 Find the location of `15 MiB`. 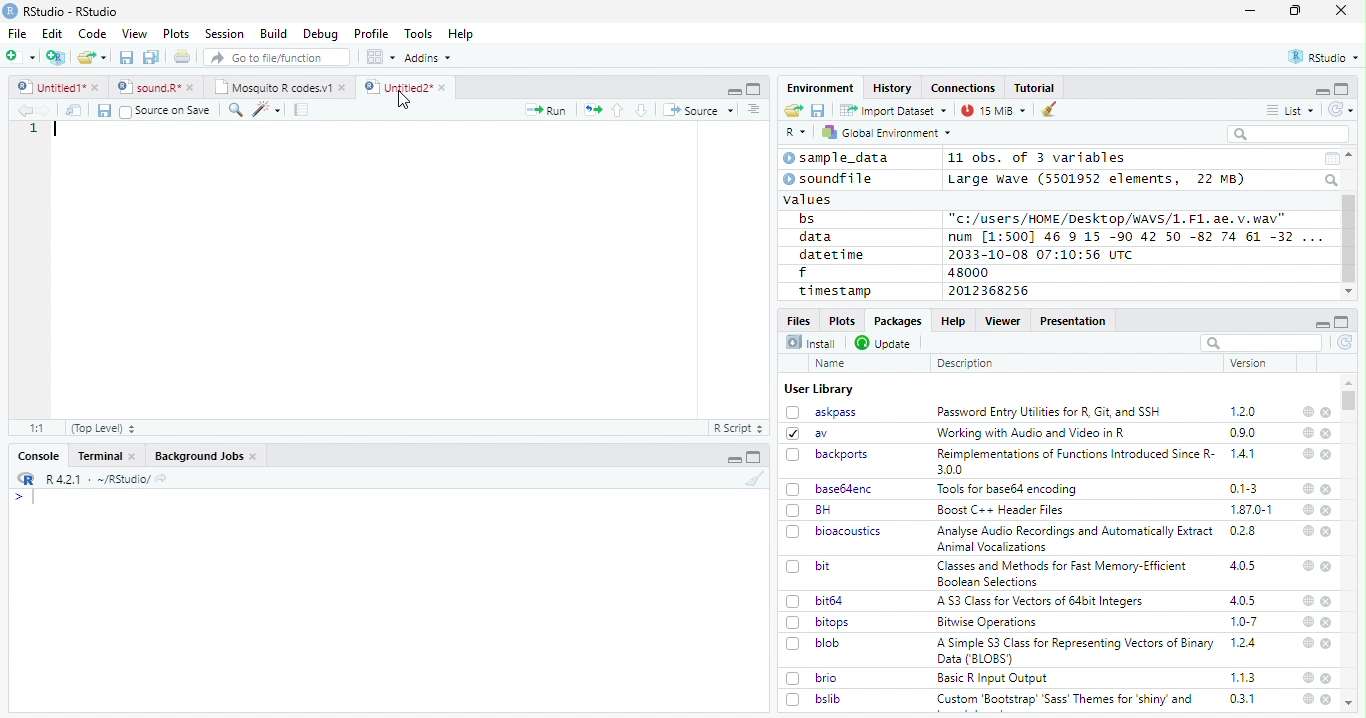

15 MiB is located at coordinates (994, 110).